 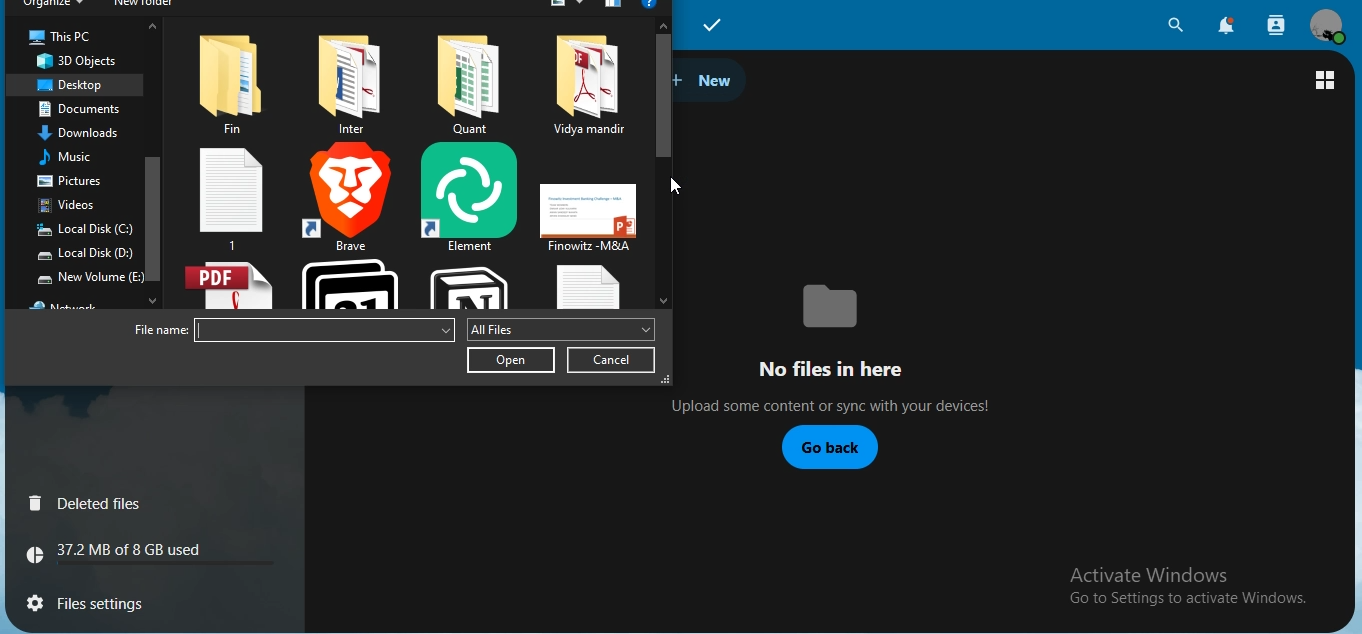 What do you see at coordinates (587, 86) in the screenshot?
I see `file` at bounding box center [587, 86].